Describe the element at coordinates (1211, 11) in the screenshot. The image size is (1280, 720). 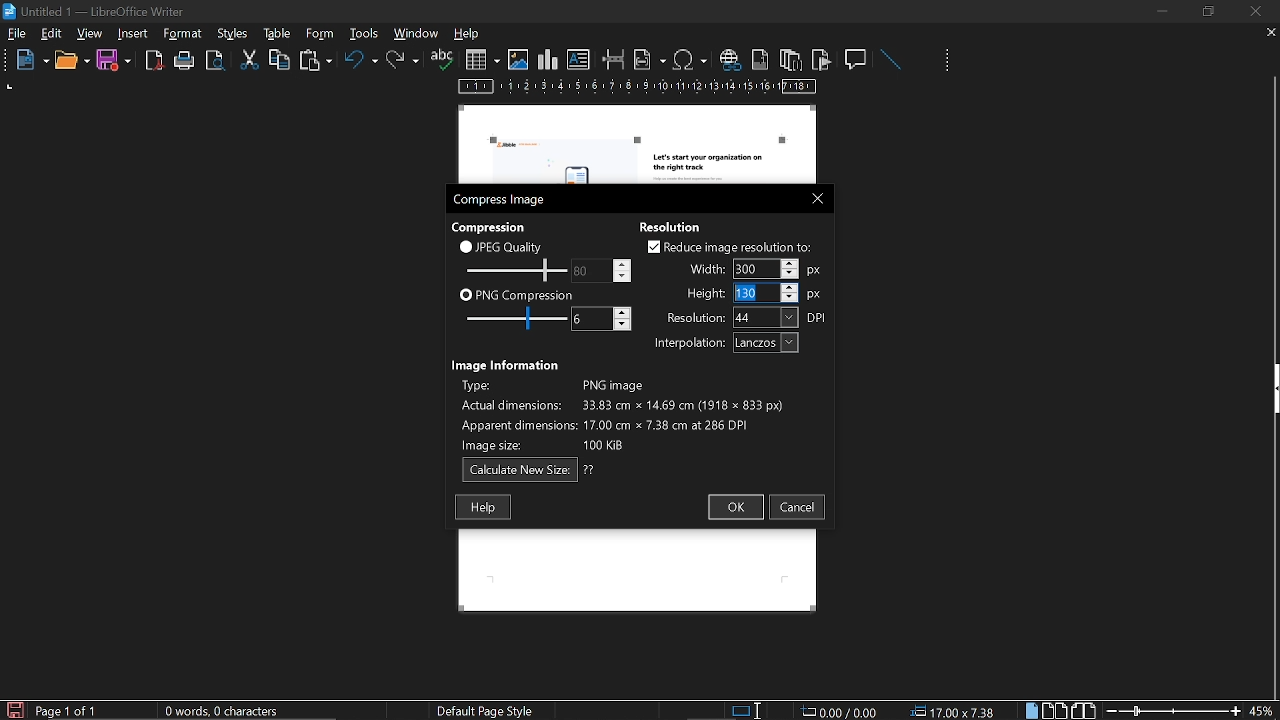
I see `restore down` at that location.